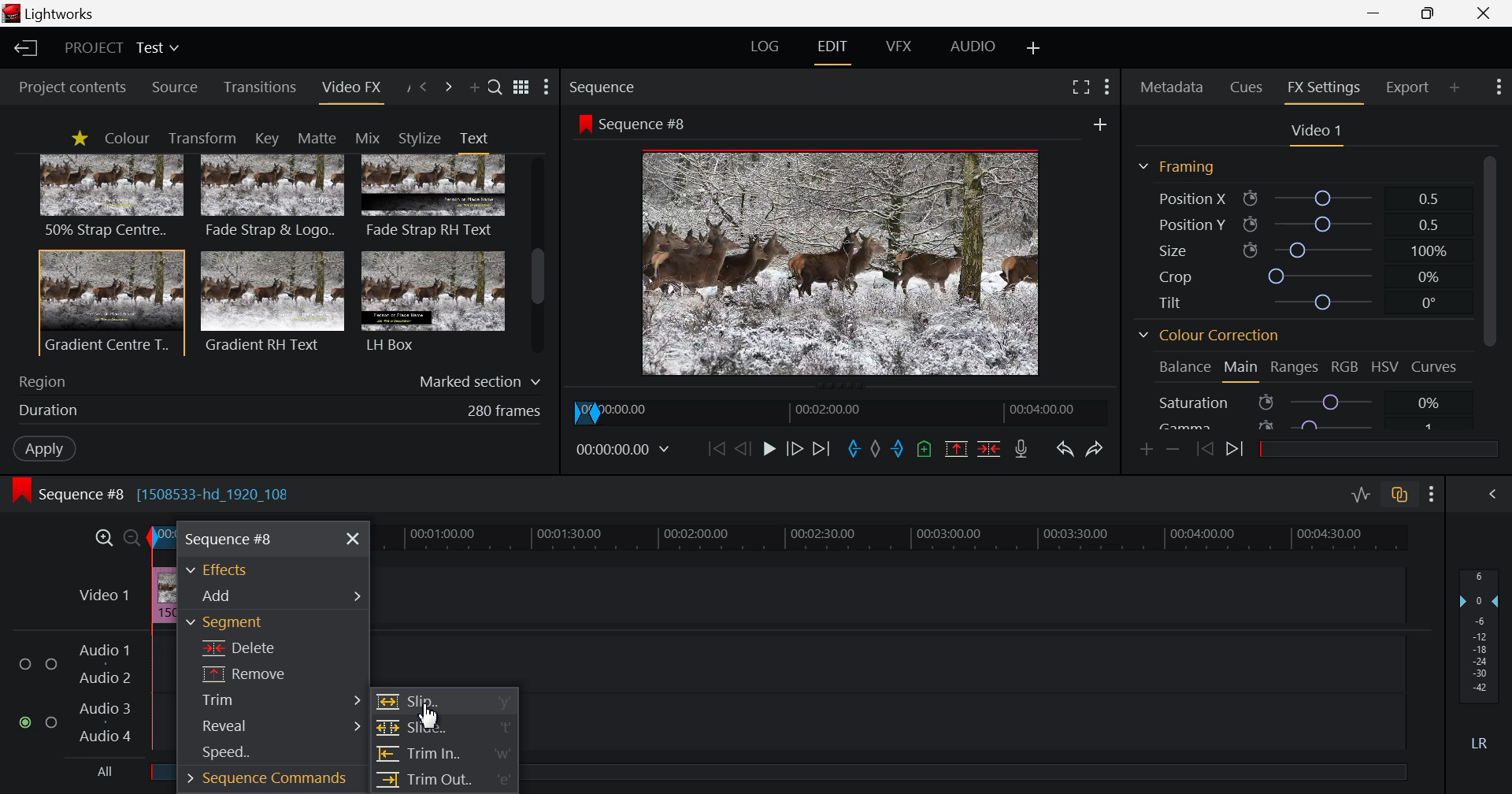  I want to click on Toggle auto track sync, so click(1402, 497).